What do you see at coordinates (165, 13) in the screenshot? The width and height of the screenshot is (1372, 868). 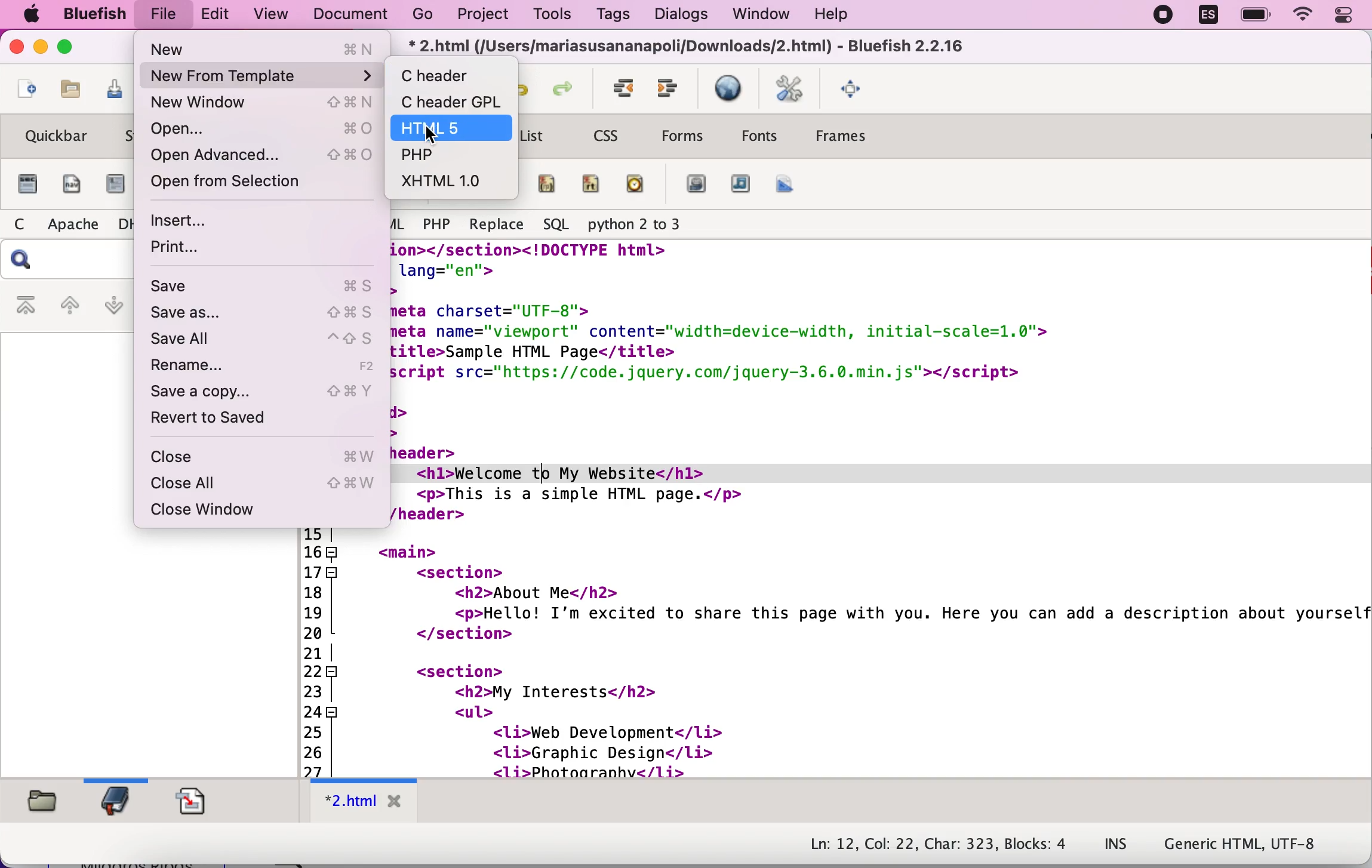 I see `file` at bounding box center [165, 13].